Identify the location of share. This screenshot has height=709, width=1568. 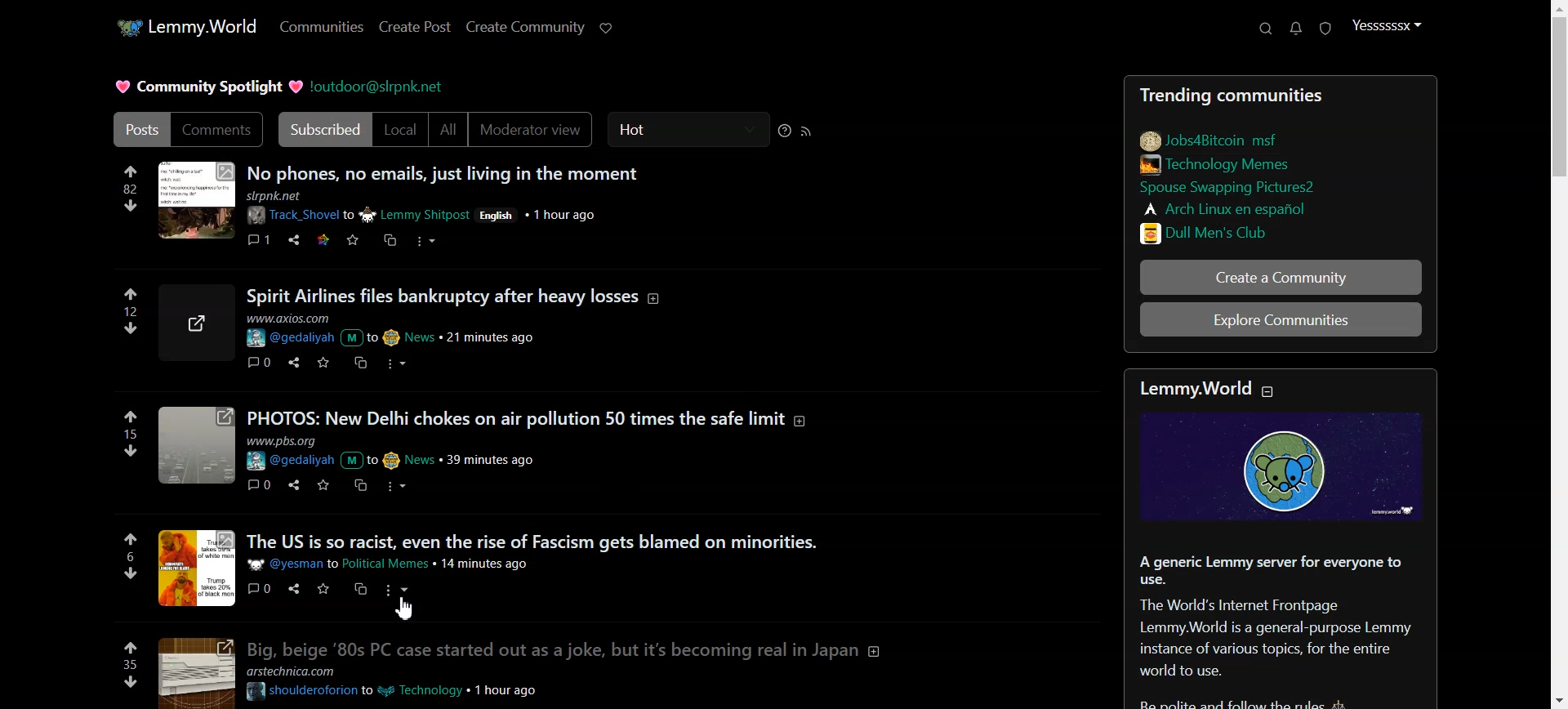
(292, 484).